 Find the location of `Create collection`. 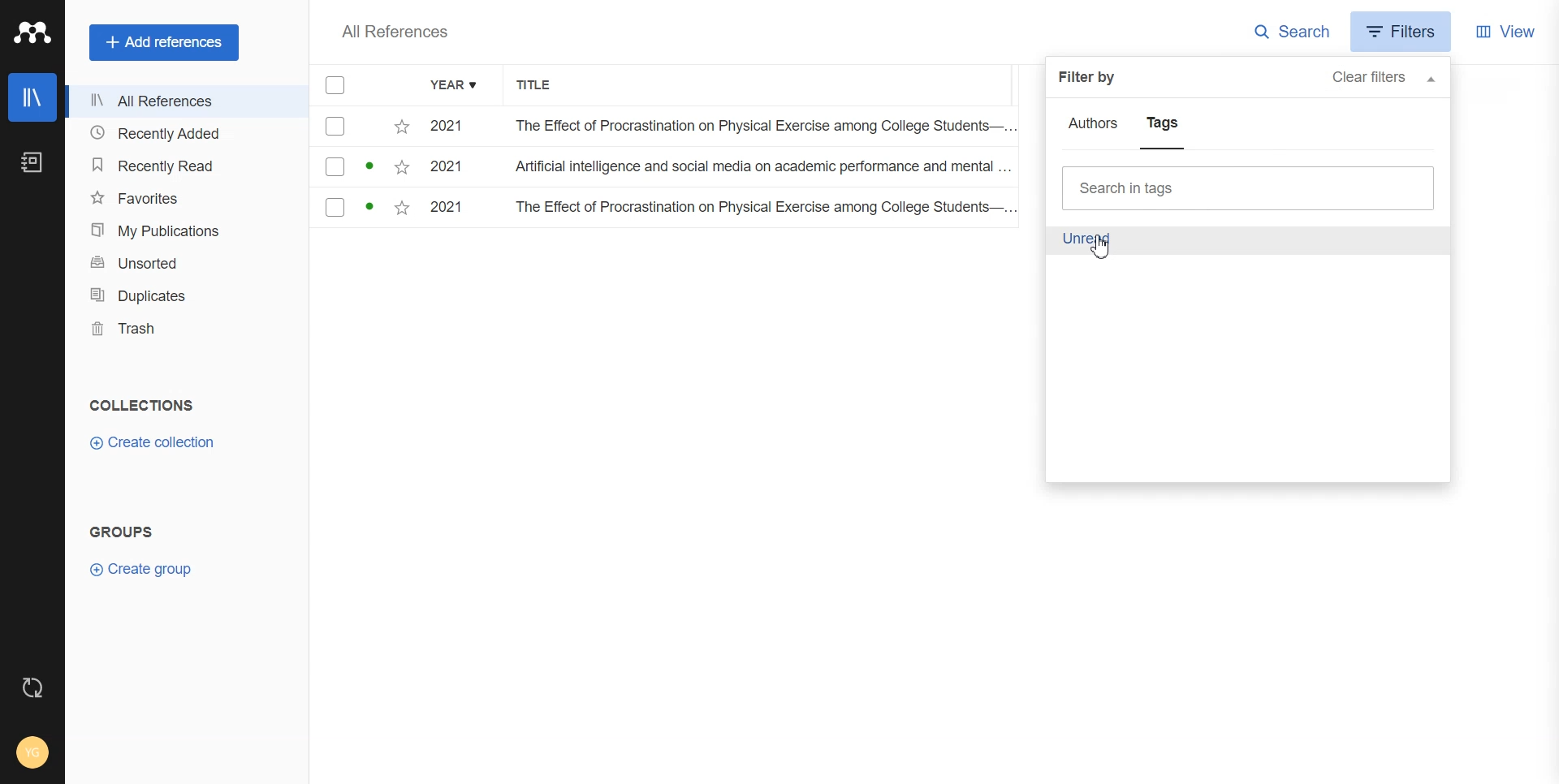

Create collection is located at coordinates (152, 443).